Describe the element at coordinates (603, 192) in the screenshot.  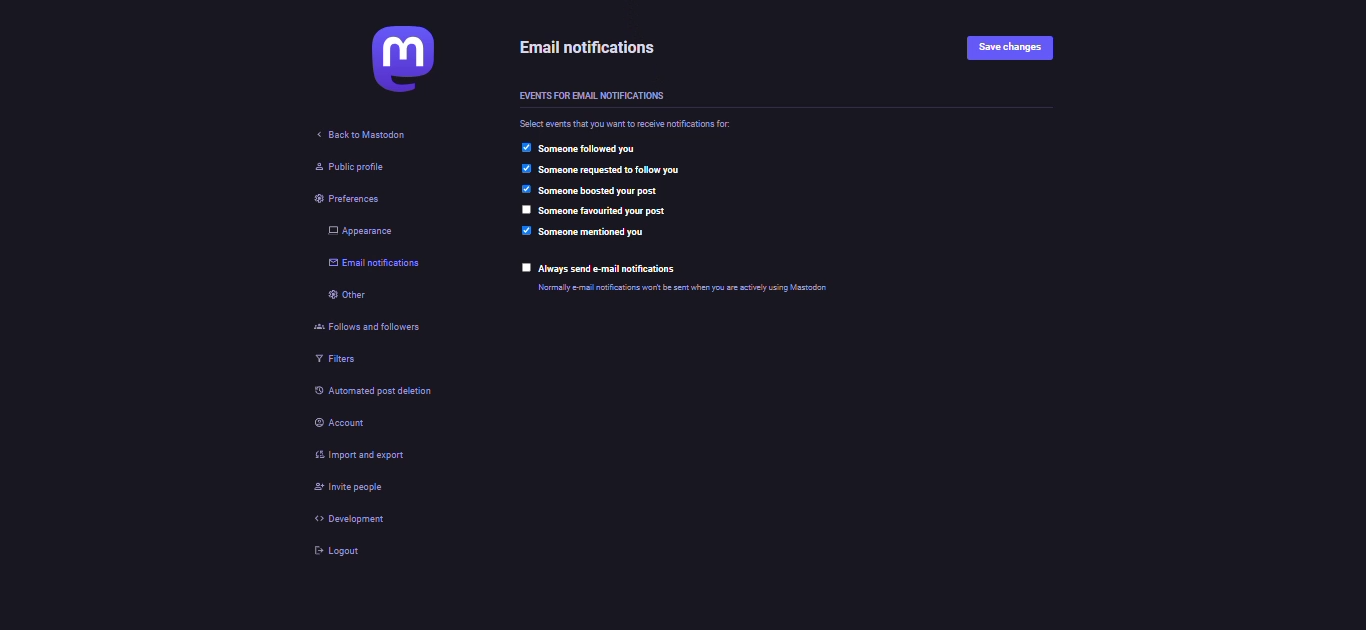
I see `someone boosted your profile` at that location.